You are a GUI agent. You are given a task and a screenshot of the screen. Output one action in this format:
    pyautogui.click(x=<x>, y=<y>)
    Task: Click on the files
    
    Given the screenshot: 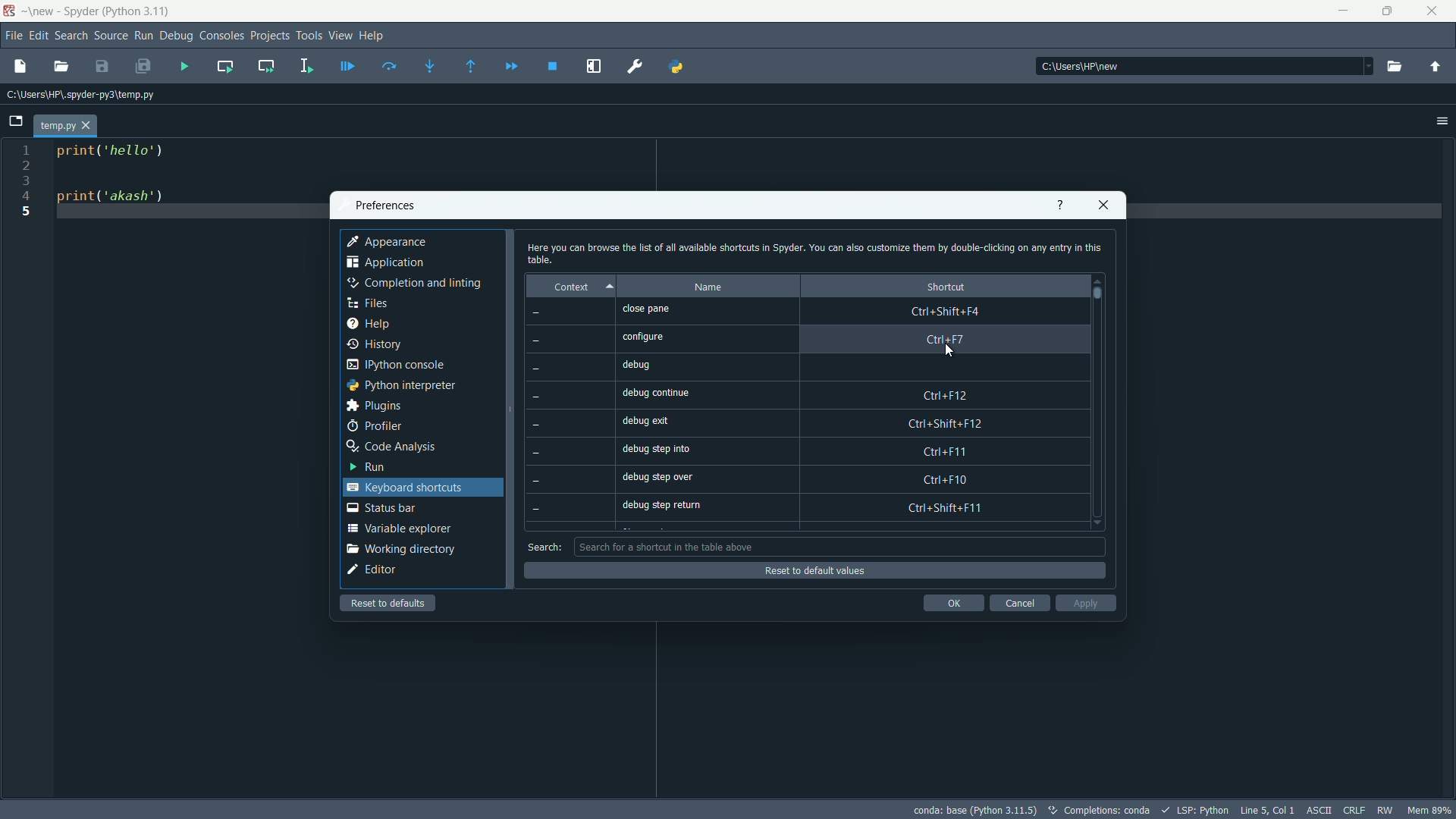 What is the action you would take?
    pyautogui.click(x=366, y=303)
    